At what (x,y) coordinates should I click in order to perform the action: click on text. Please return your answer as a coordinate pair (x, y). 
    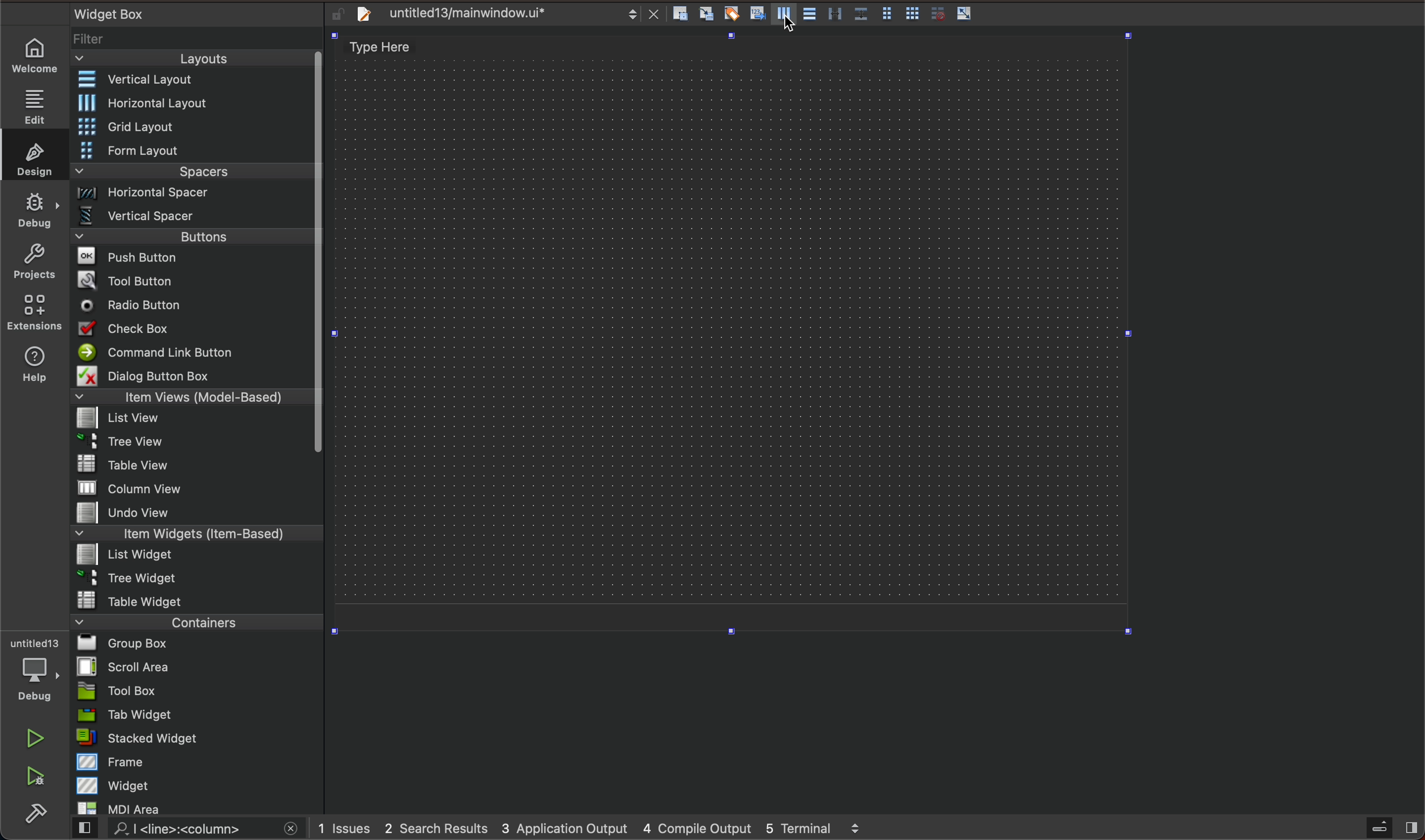
    Looking at the image, I should click on (109, 11).